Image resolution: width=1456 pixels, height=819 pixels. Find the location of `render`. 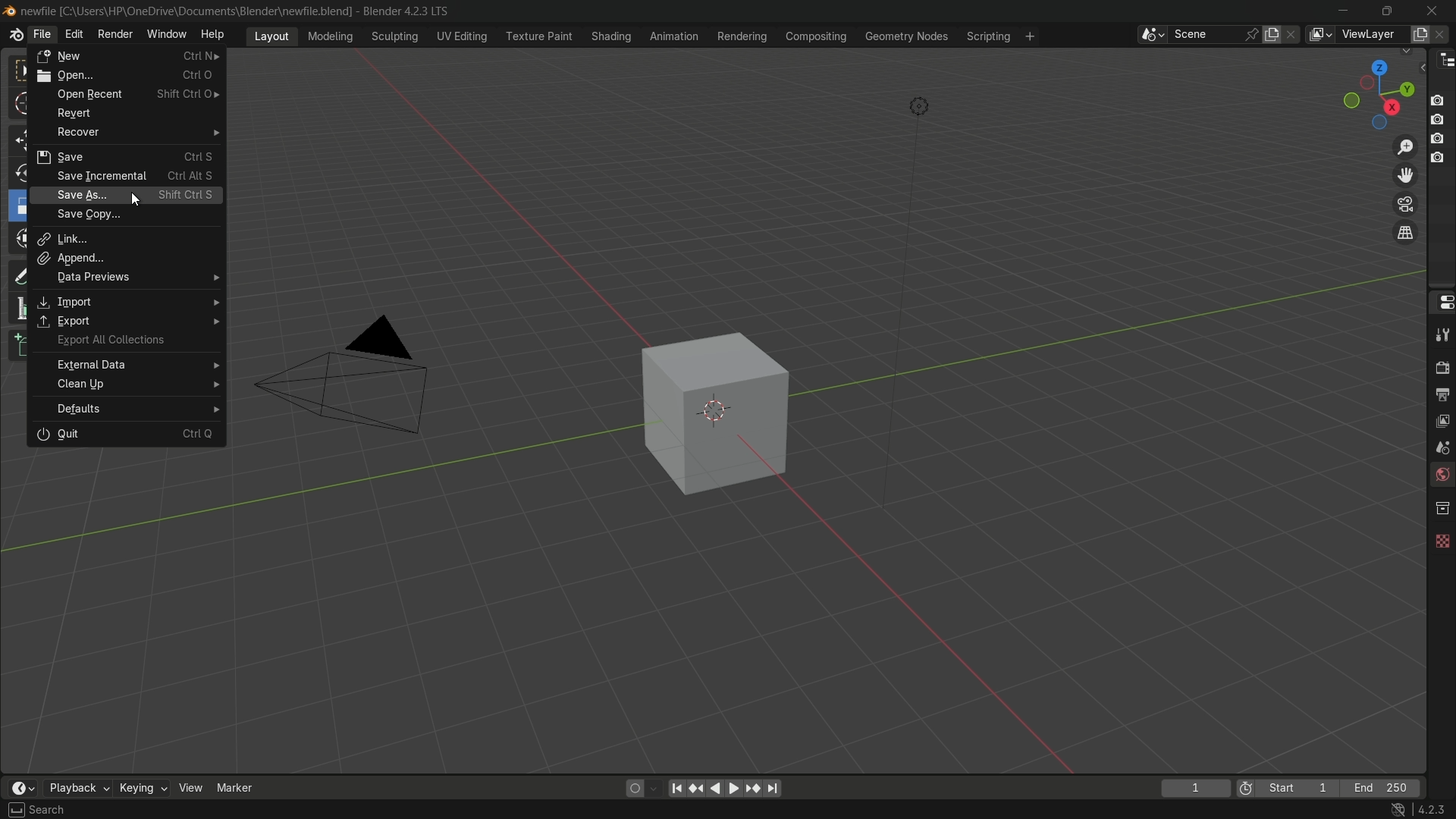

render is located at coordinates (1439, 366).